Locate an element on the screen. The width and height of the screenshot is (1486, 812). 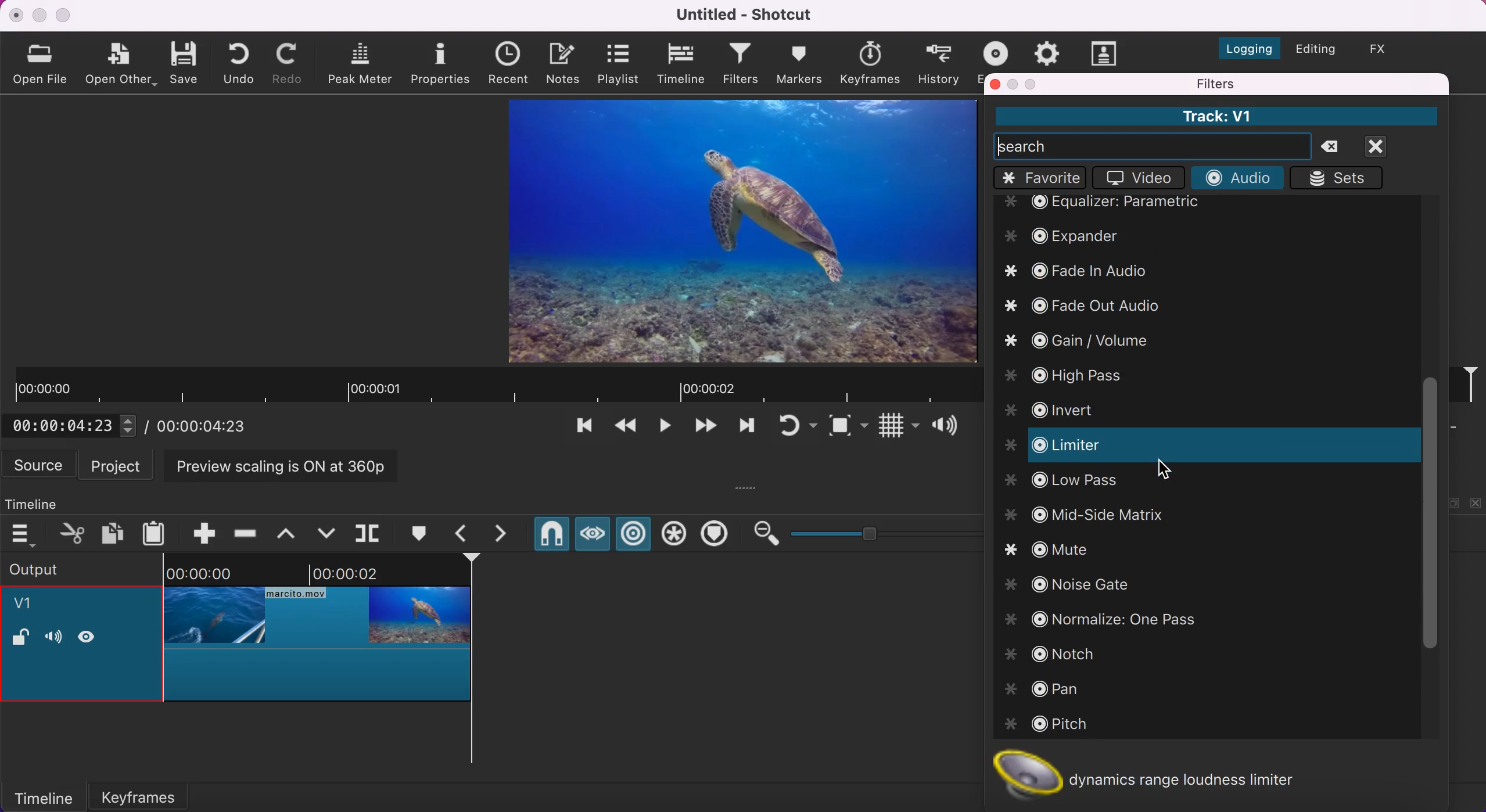
skip to the next point is located at coordinates (704, 429).